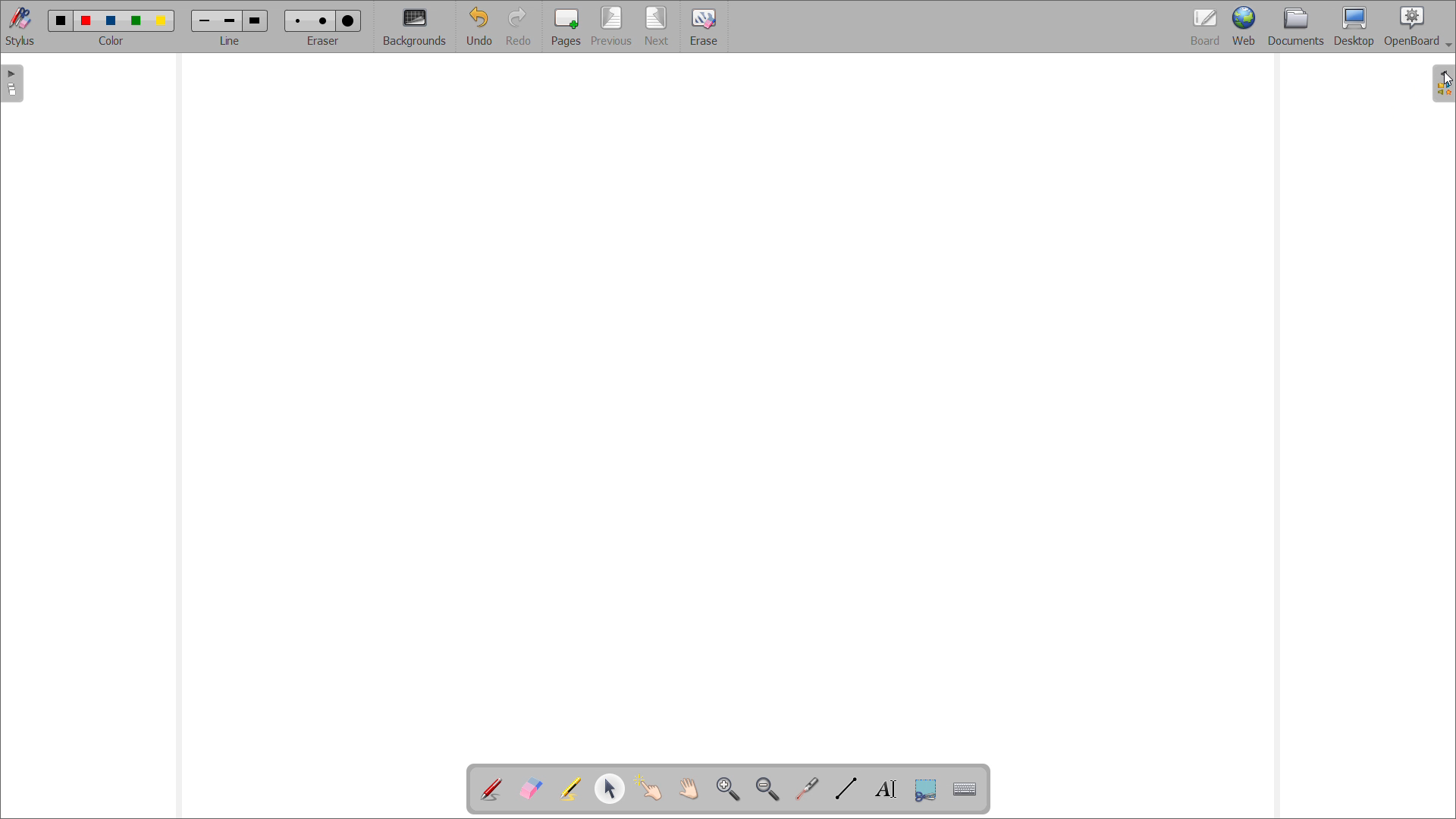 Image resolution: width=1456 pixels, height=819 pixels. What do you see at coordinates (138, 20) in the screenshot?
I see `Color 4` at bounding box center [138, 20].